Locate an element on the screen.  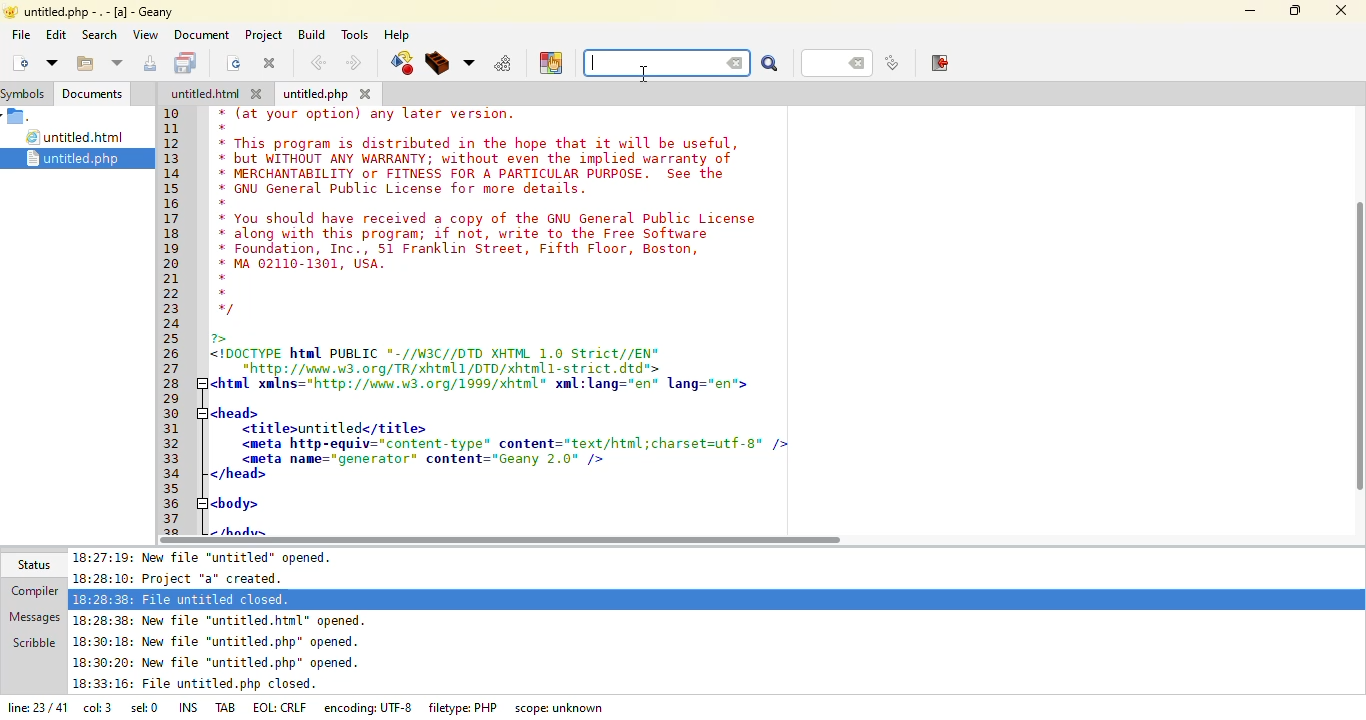
html is located at coordinates (205, 94).